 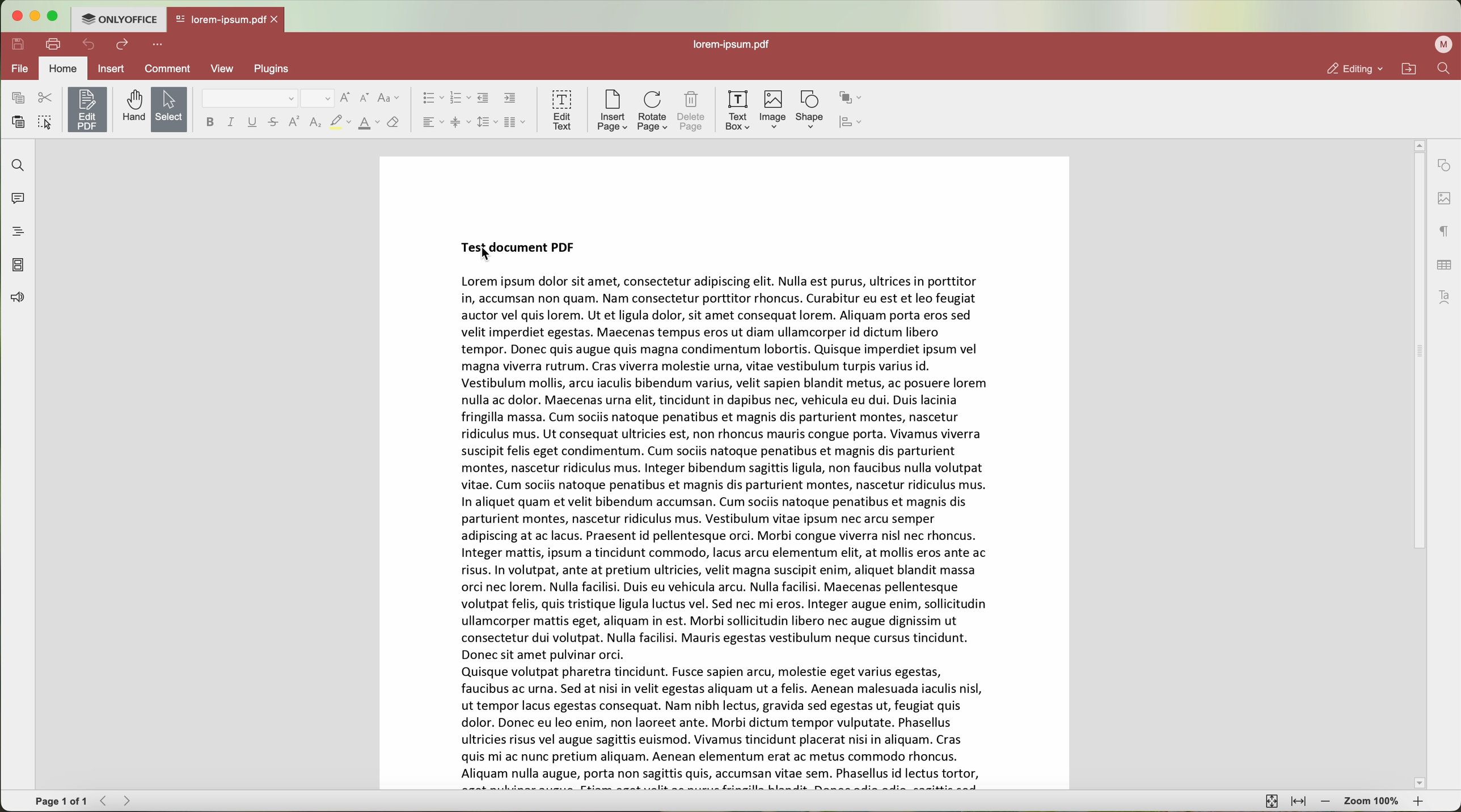 I want to click on subscript, so click(x=315, y=124).